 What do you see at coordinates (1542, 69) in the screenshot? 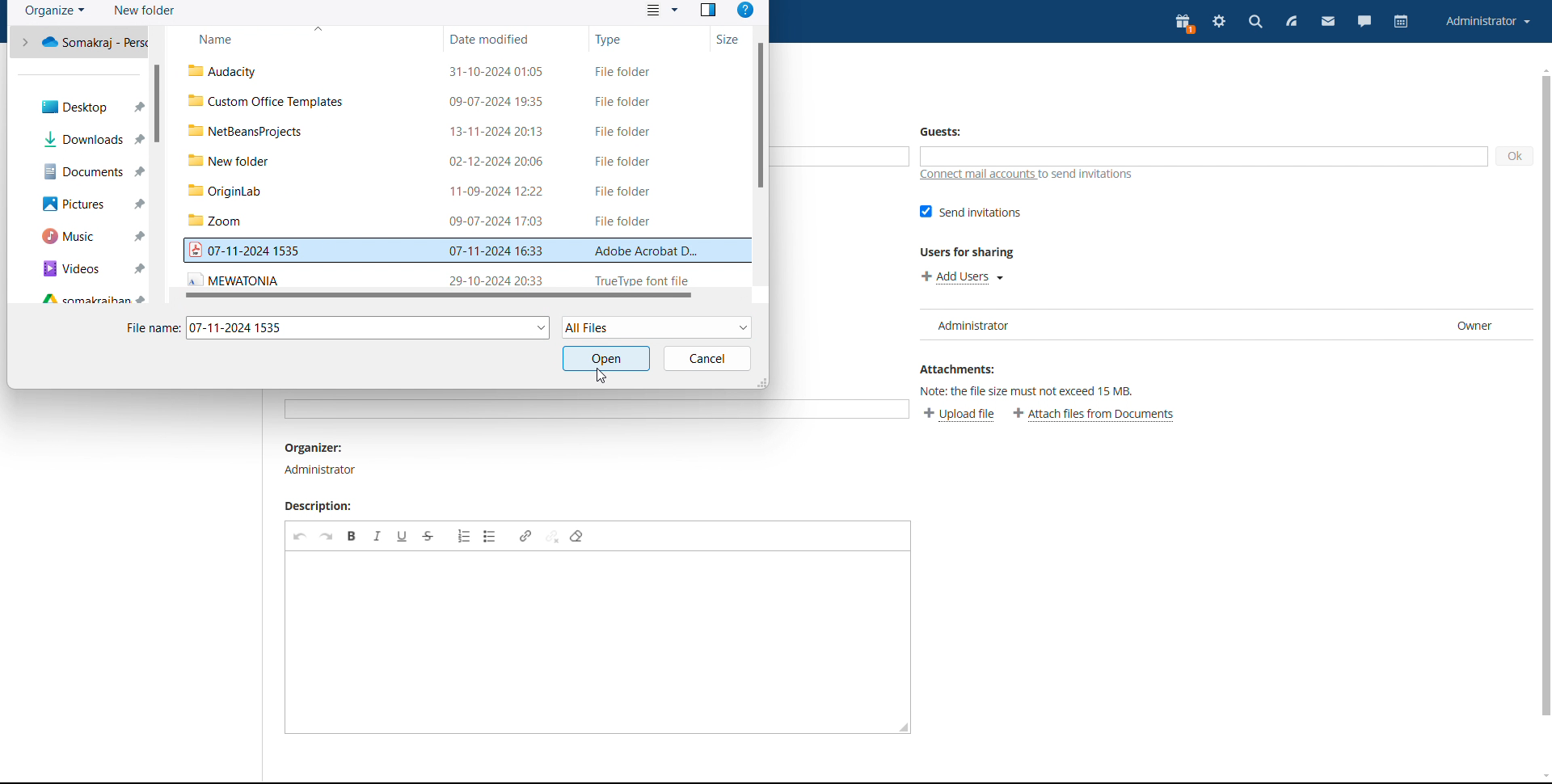
I see `scroll up` at bounding box center [1542, 69].